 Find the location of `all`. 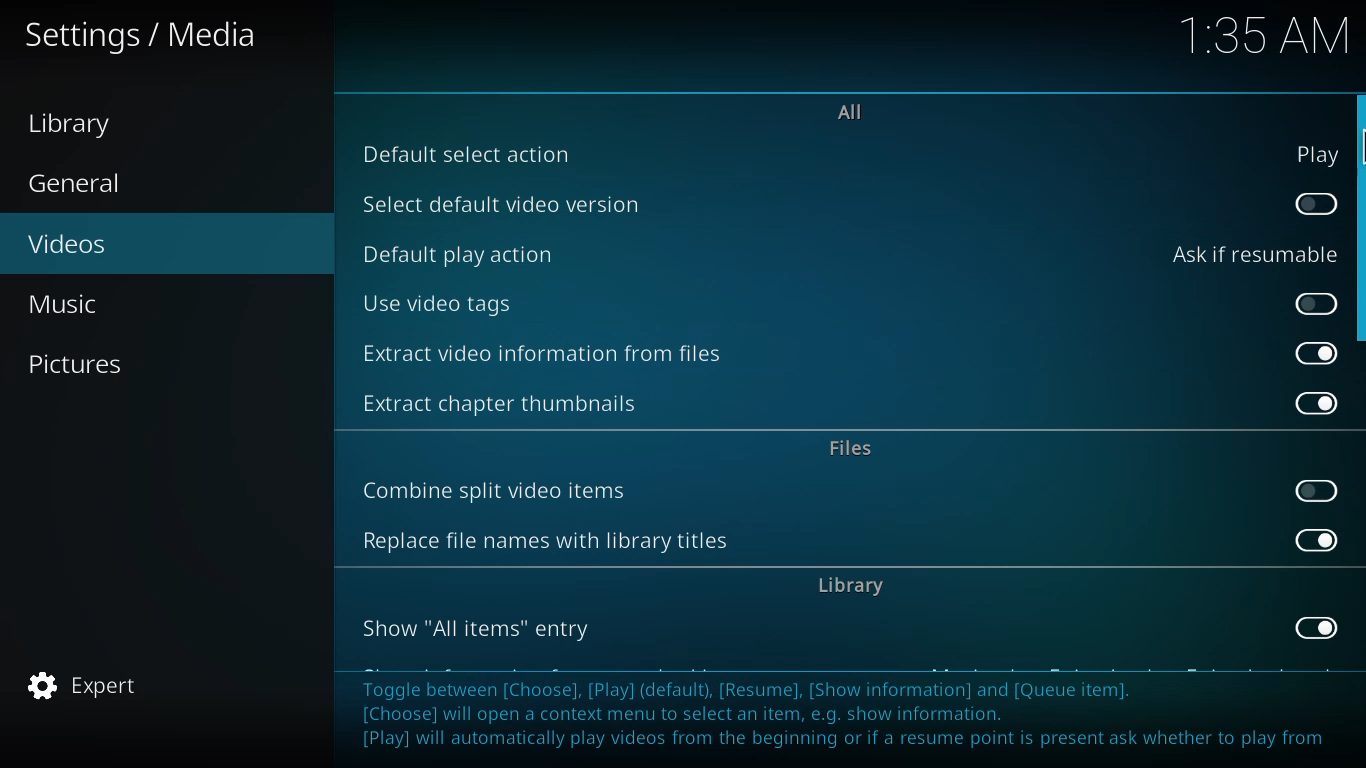

all is located at coordinates (851, 112).